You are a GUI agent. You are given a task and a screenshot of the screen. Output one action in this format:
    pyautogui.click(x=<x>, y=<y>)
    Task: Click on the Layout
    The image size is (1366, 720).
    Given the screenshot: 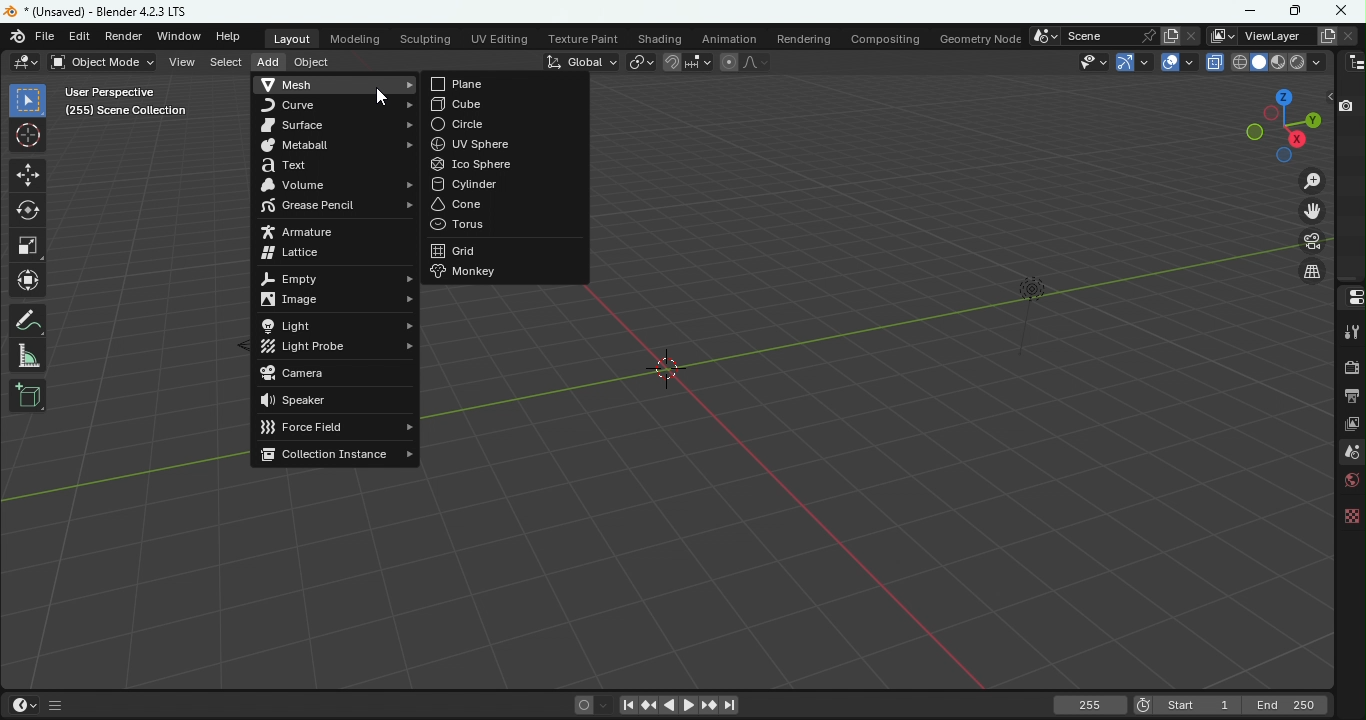 What is the action you would take?
    pyautogui.click(x=292, y=39)
    